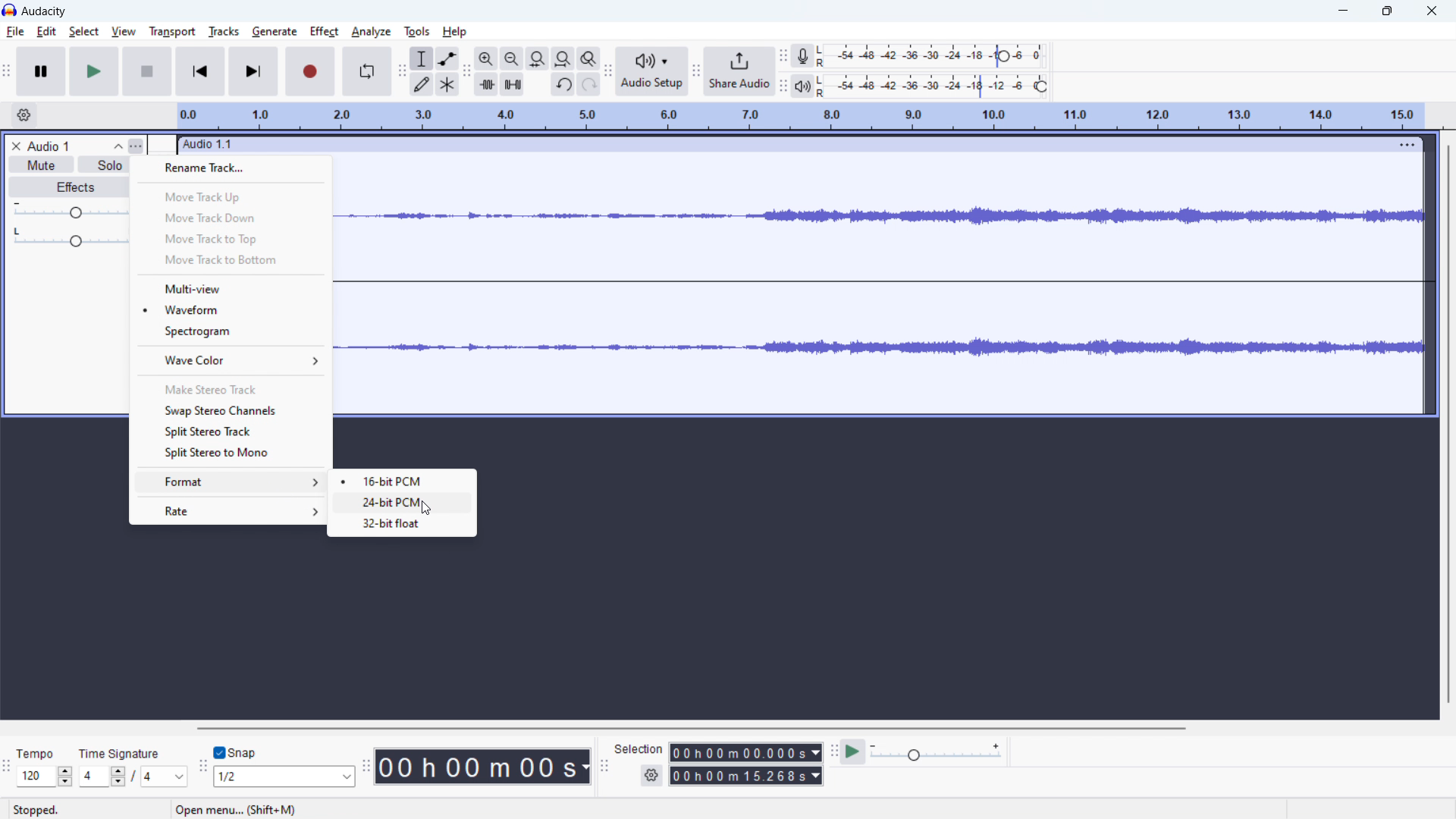  Describe the element at coordinates (563, 84) in the screenshot. I see `undo` at that location.